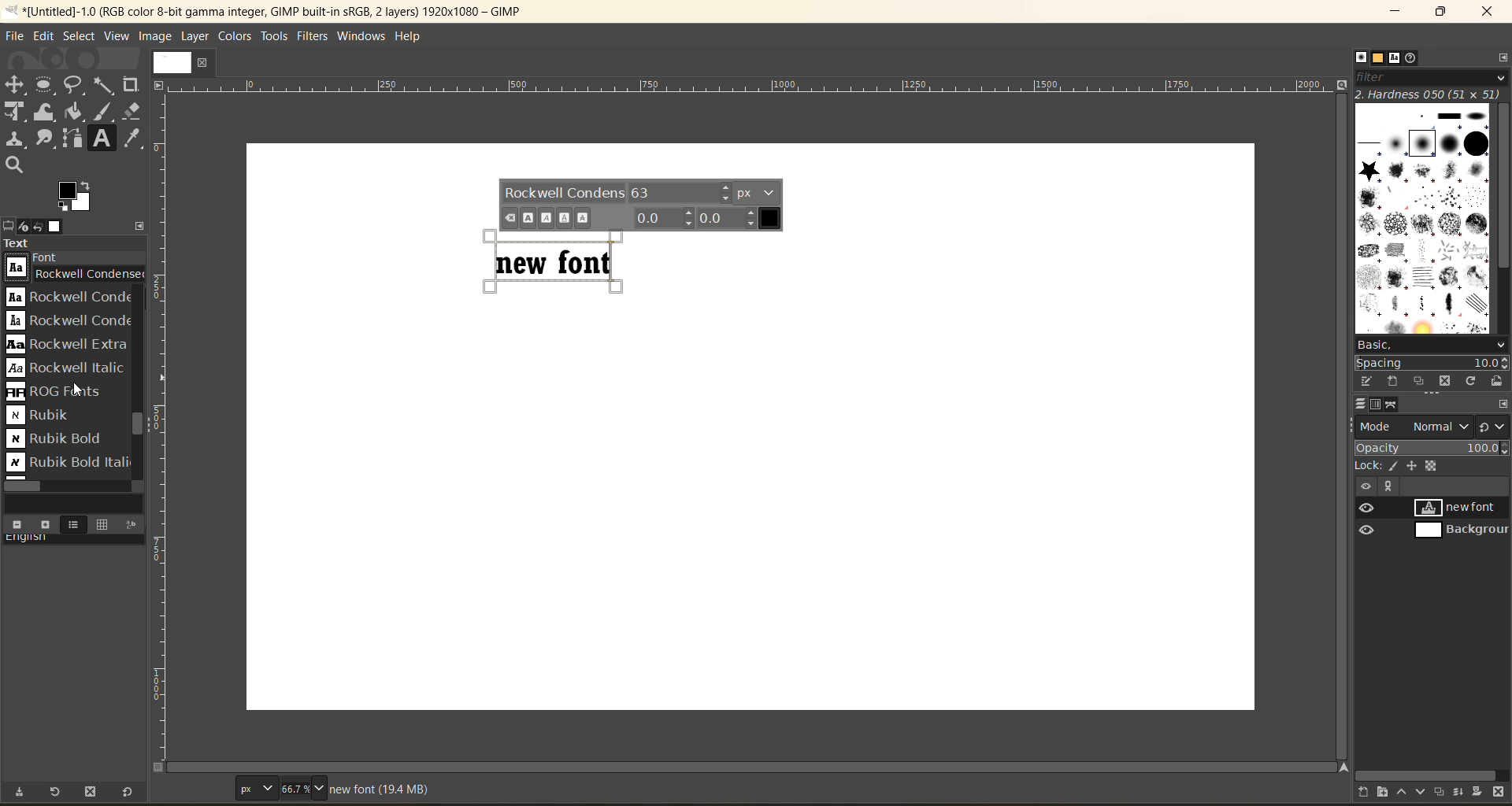  Describe the element at coordinates (1502, 57) in the screenshot. I see `configure` at that location.